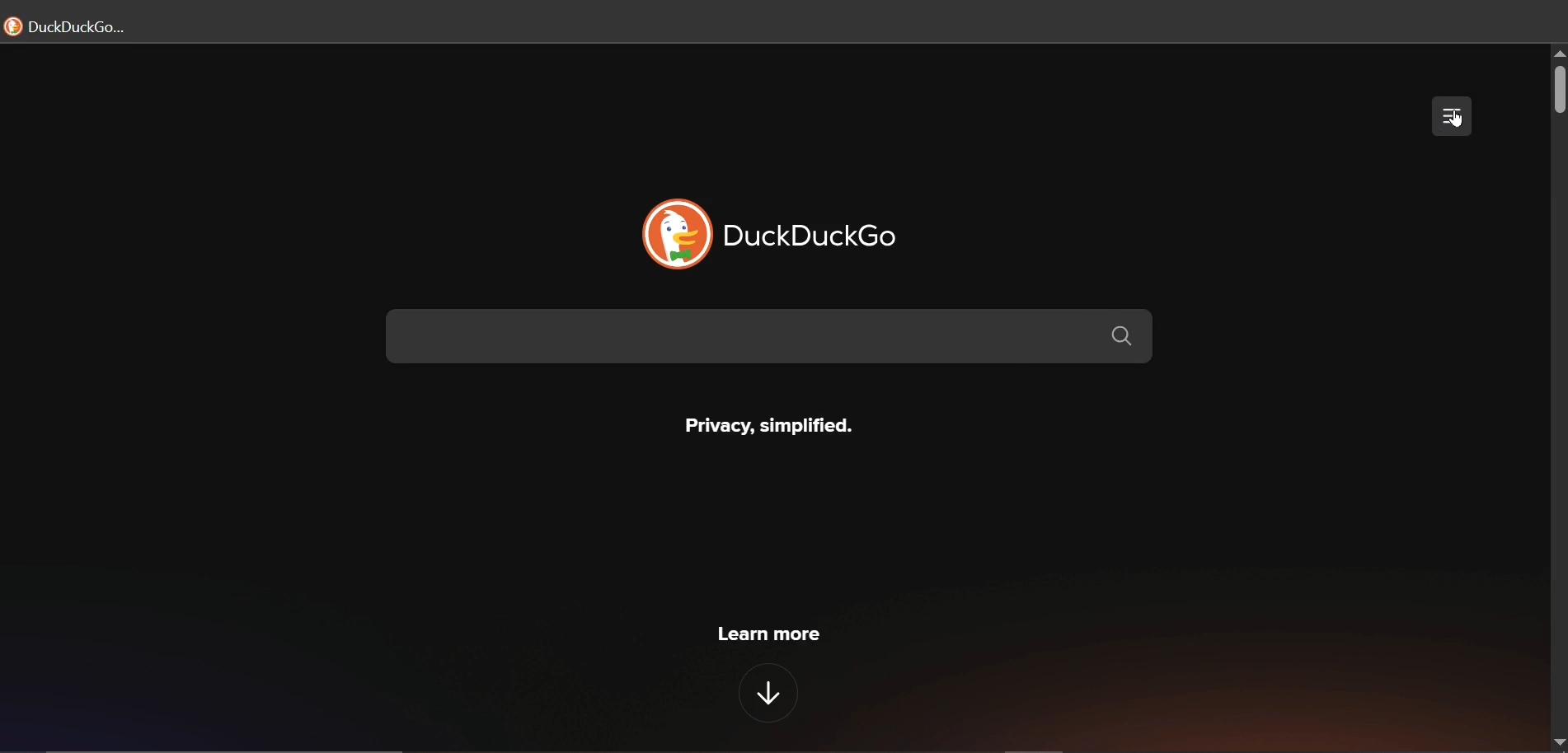 This screenshot has height=753, width=1568. What do you see at coordinates (1558, 91) in the screenshot?
I see `scroll` at bounding box center [1558, 91].